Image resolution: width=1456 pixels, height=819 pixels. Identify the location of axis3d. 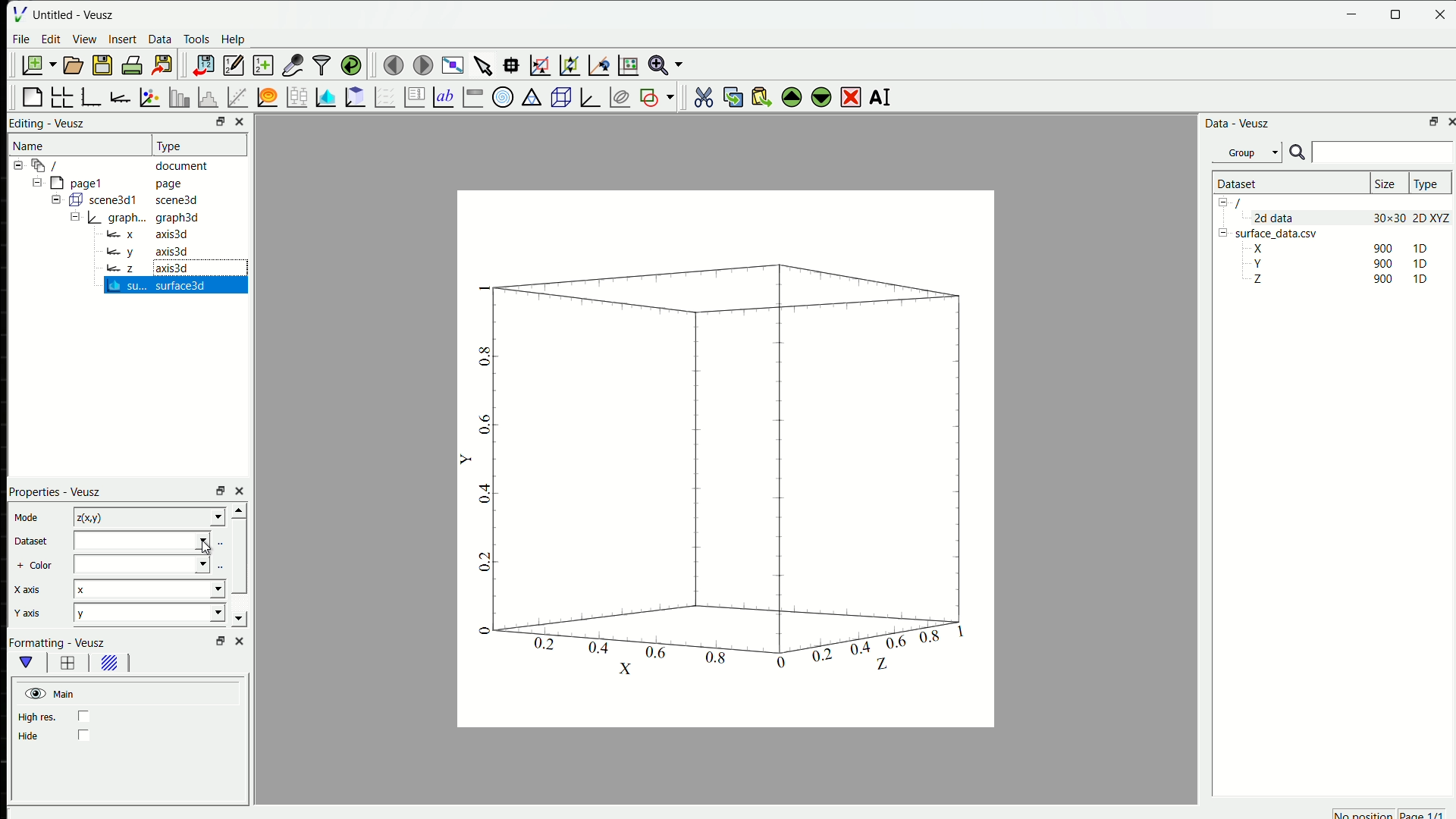
(171, 235).